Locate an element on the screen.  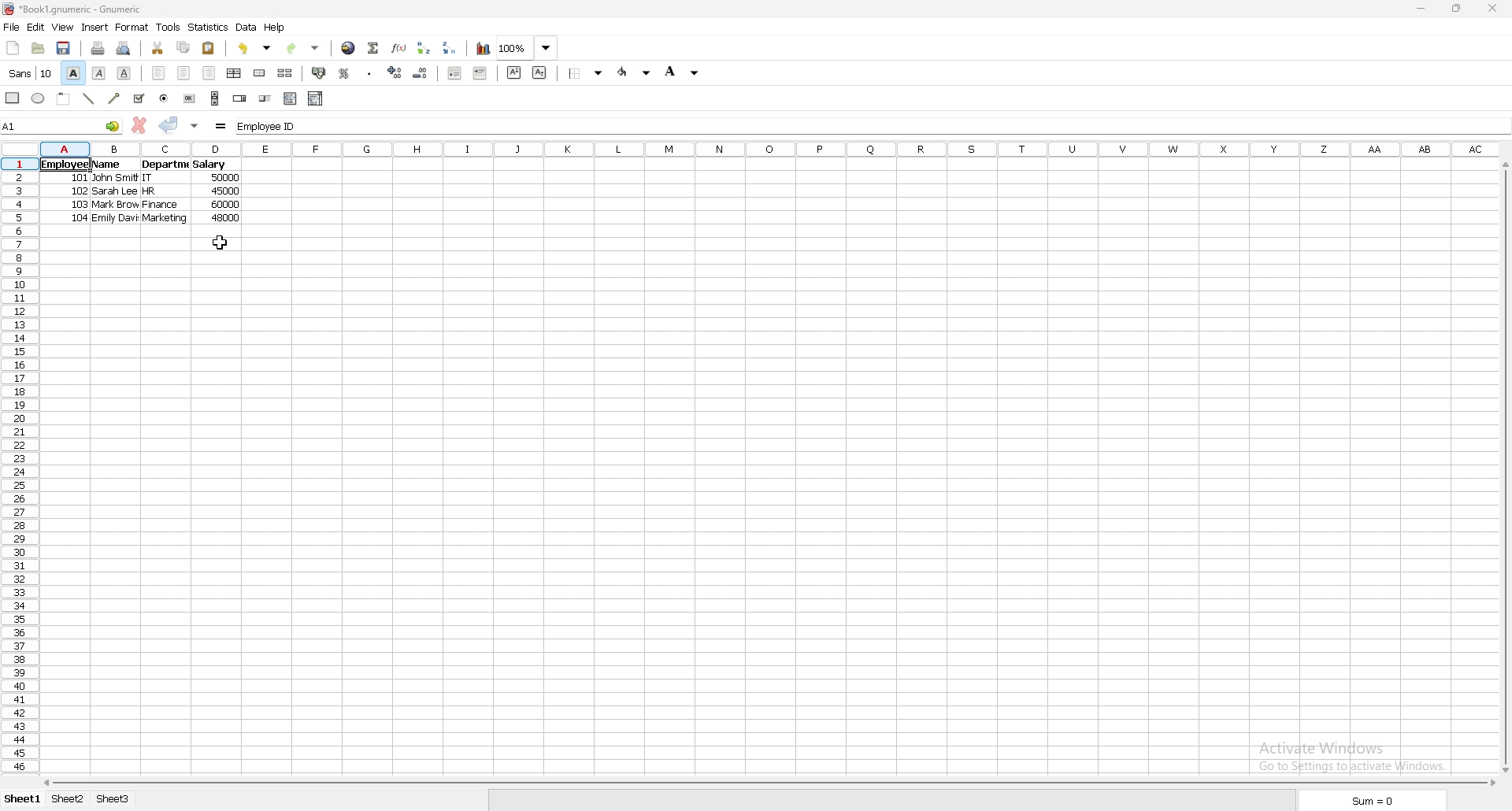
redo is located at coordinates (303, 49).